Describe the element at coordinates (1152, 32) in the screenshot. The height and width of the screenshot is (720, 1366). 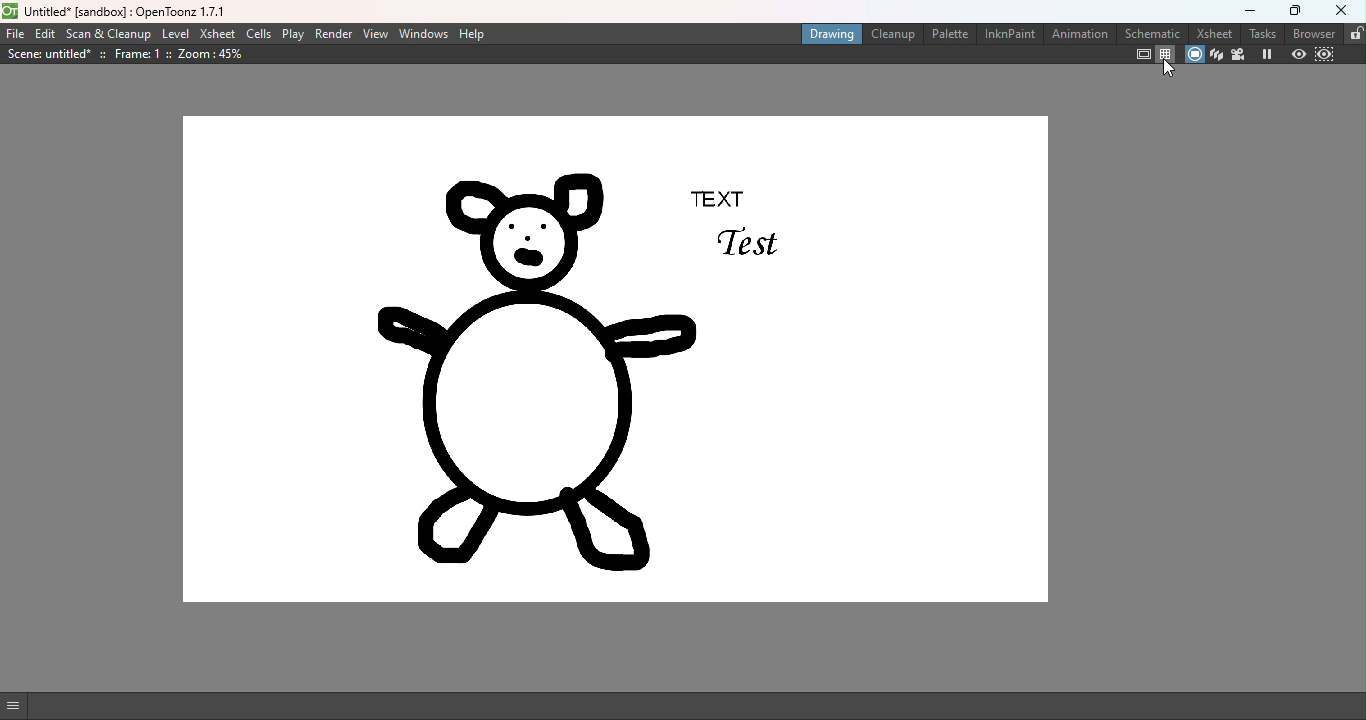
I see `Schematic` at that location.